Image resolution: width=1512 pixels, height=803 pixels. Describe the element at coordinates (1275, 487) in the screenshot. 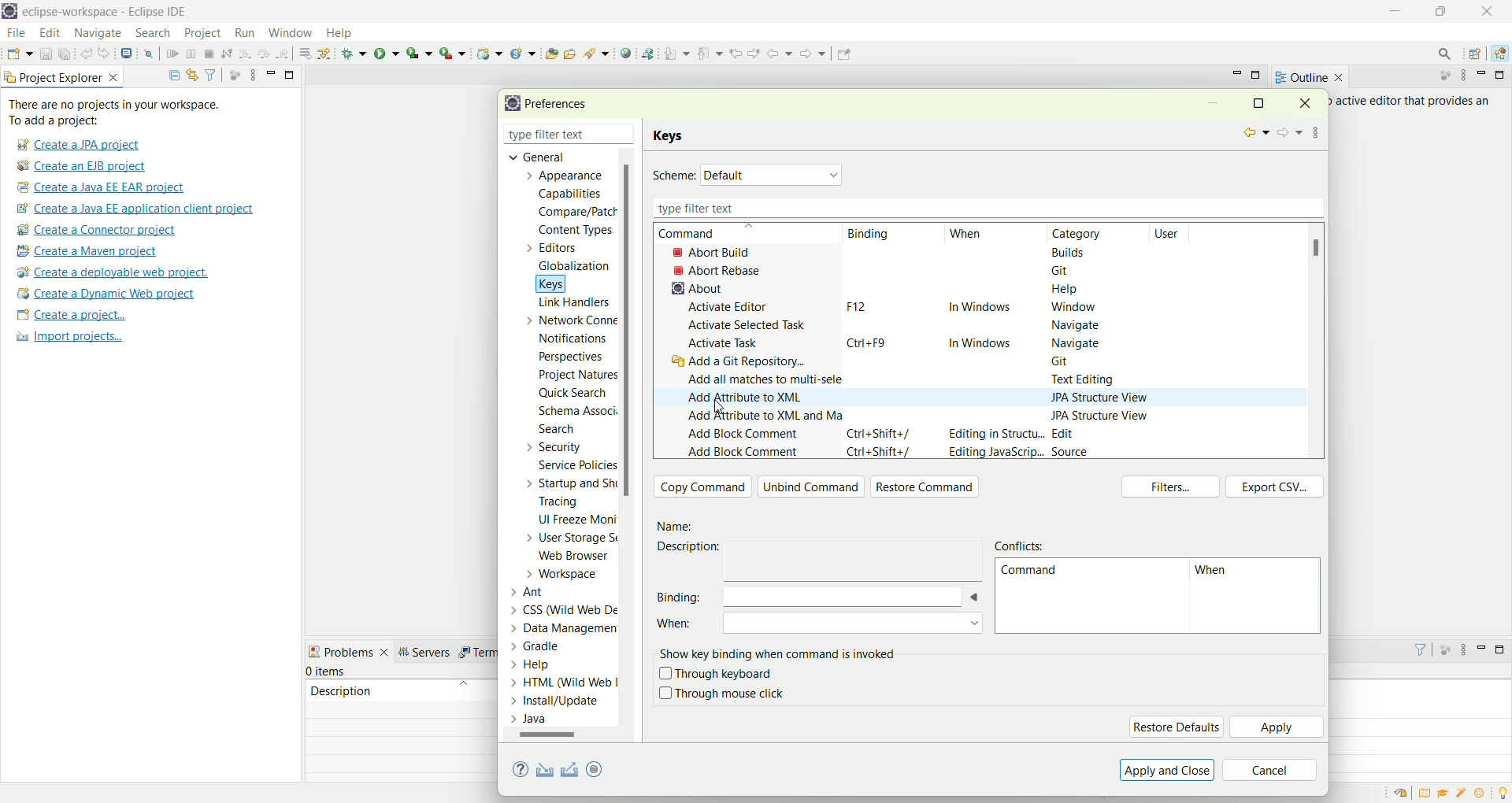

I see `export CSV` at that location.